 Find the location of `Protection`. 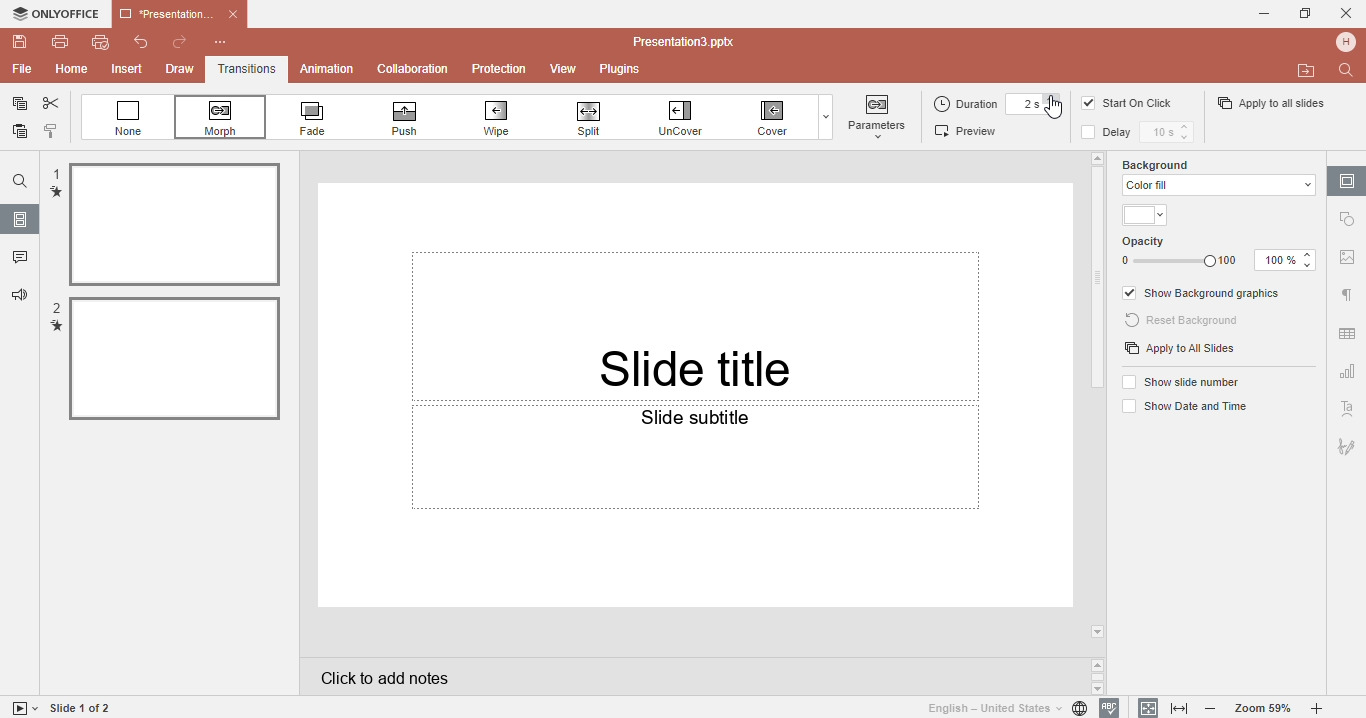

Protection is located at coordinates (502, 68).